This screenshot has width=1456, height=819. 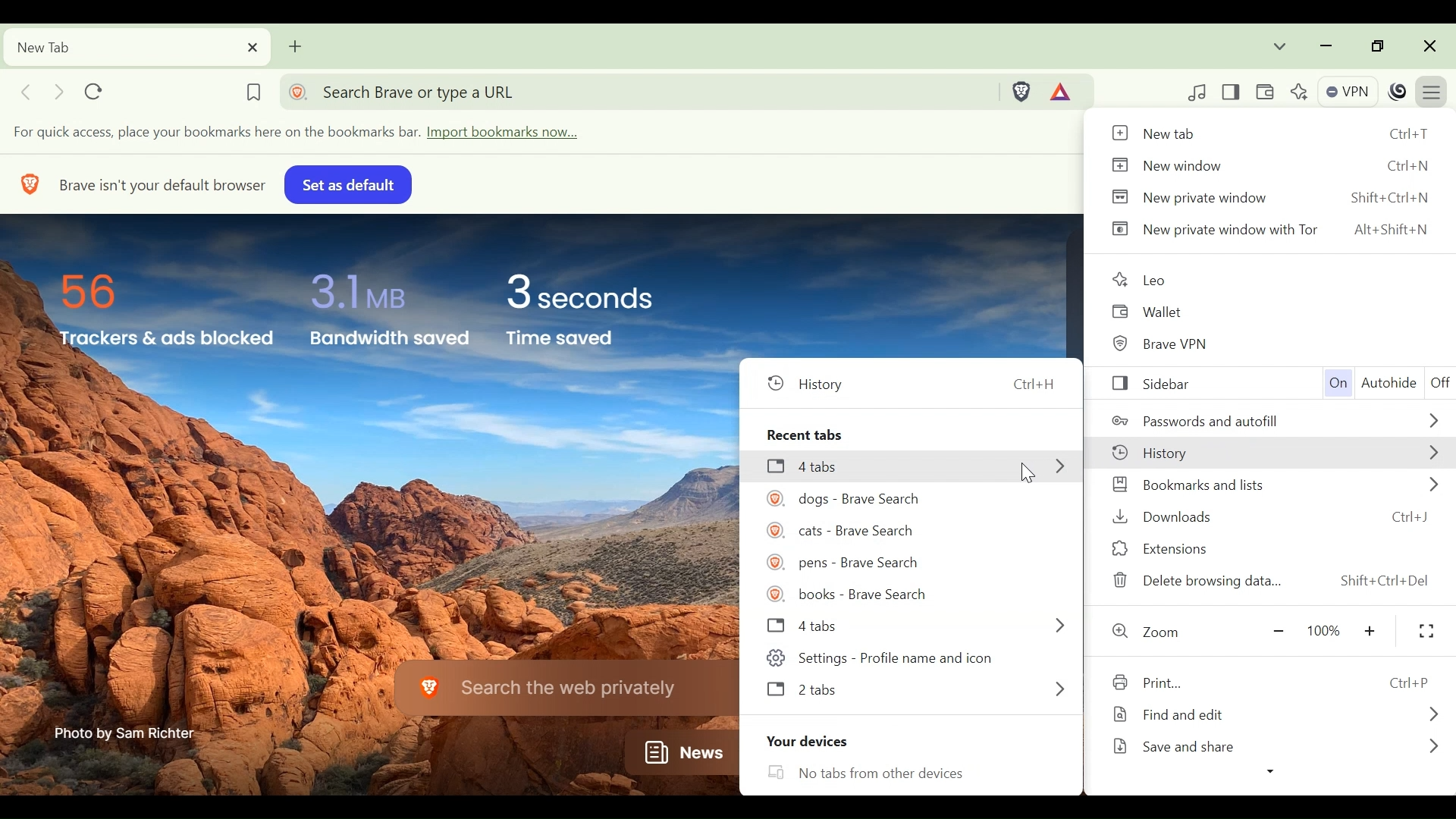 What do you see at coordinates (543, 689) in the screenshot?
I see `Search the web privately` at bounding box center [543, 689].